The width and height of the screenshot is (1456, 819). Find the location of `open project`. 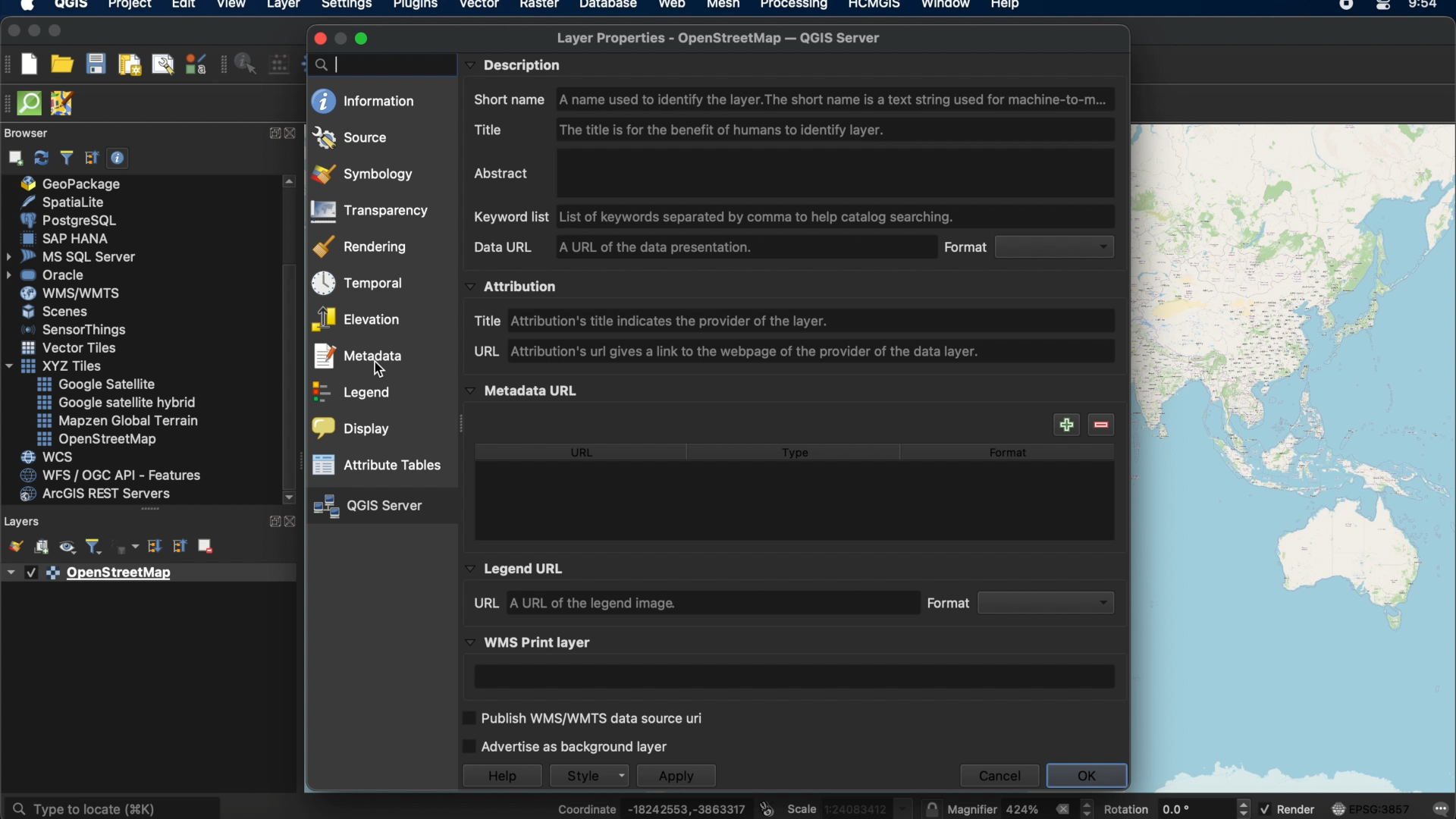

open project is located at coordinates (62, 64).